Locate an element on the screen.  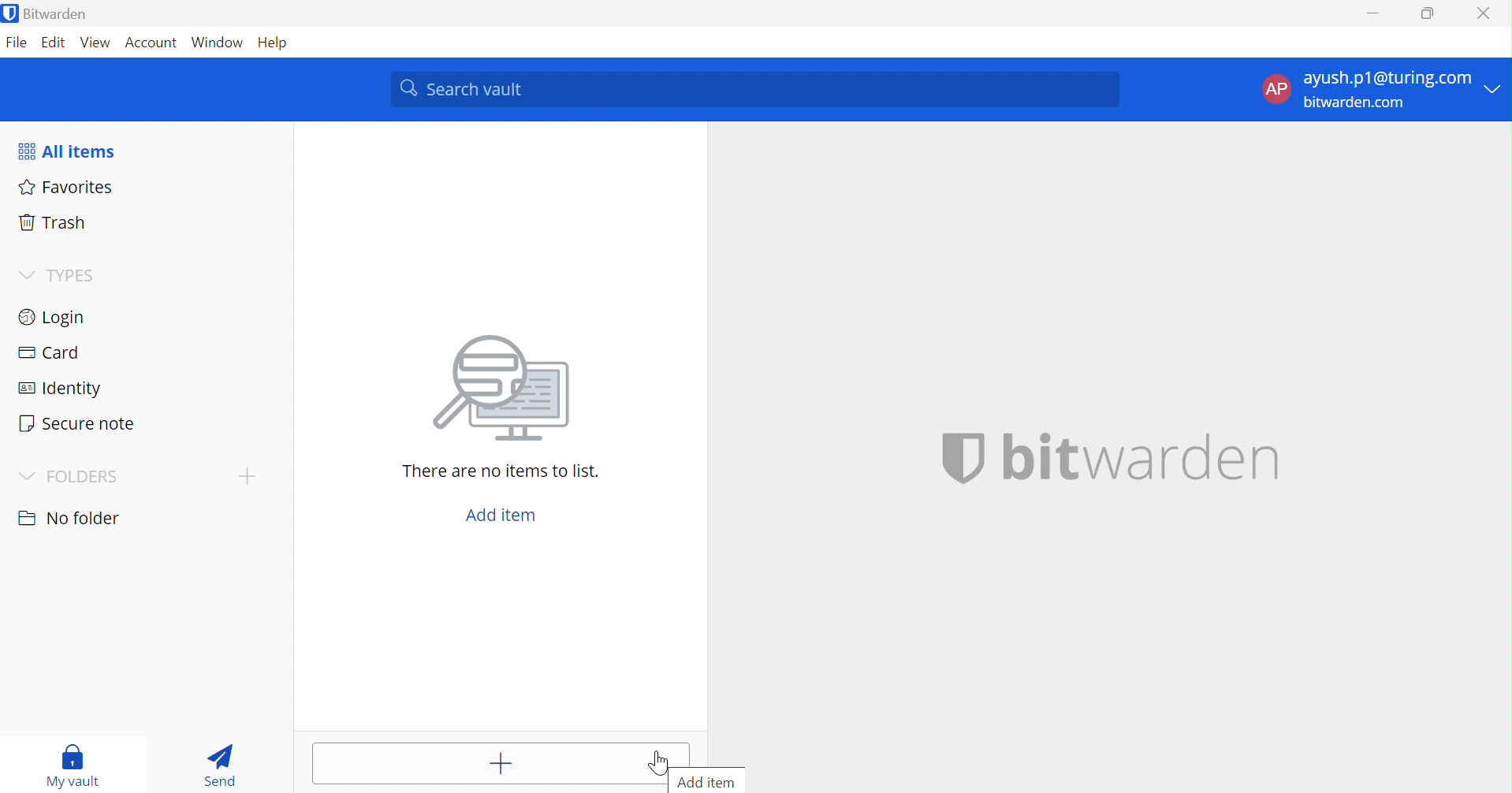
Secure note is located at coordinates (77, 423).